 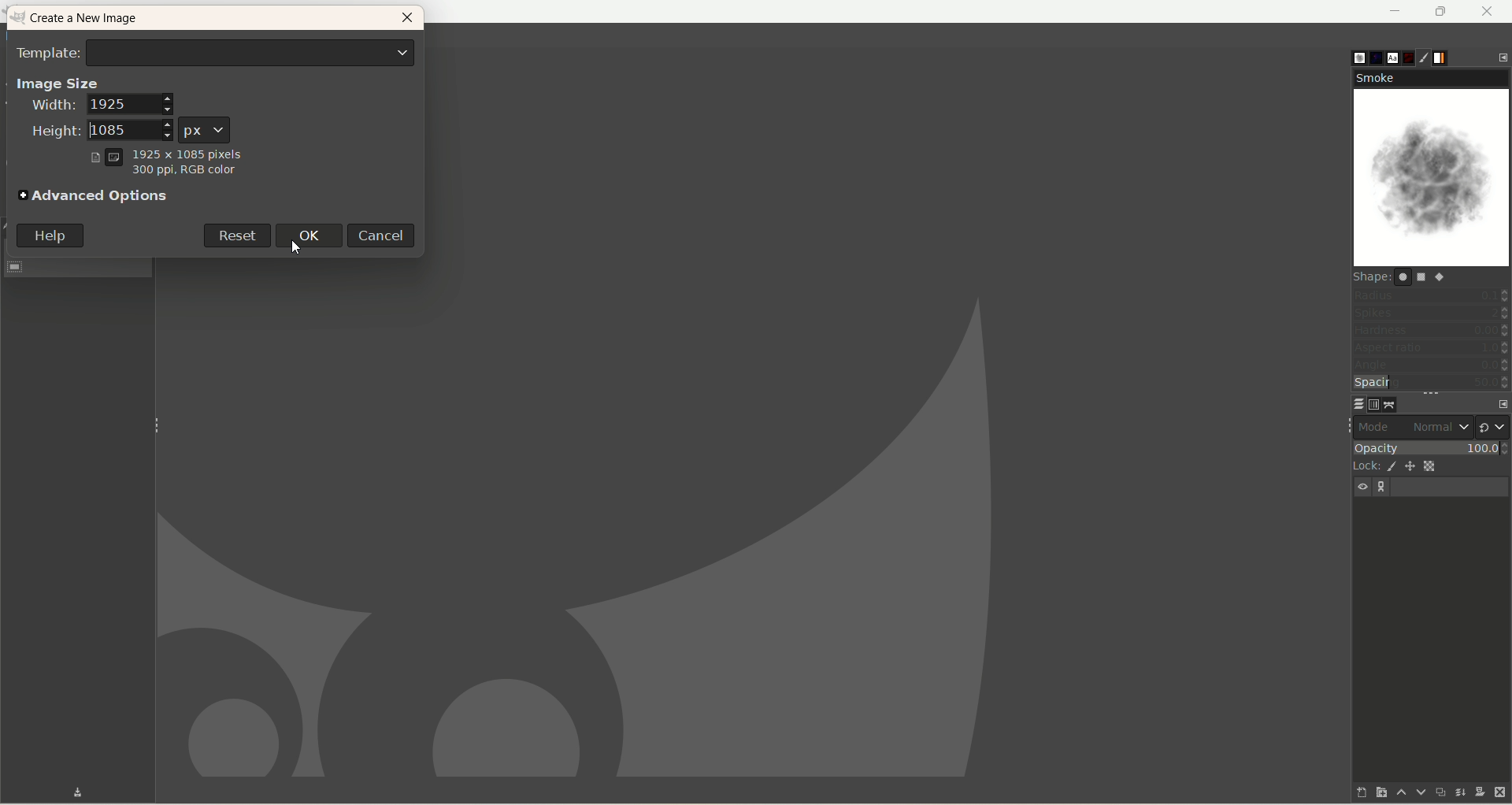 What do you see at coordinates (182, 173) in the screenshot?
I see `color` at bounding box center [182, 173].